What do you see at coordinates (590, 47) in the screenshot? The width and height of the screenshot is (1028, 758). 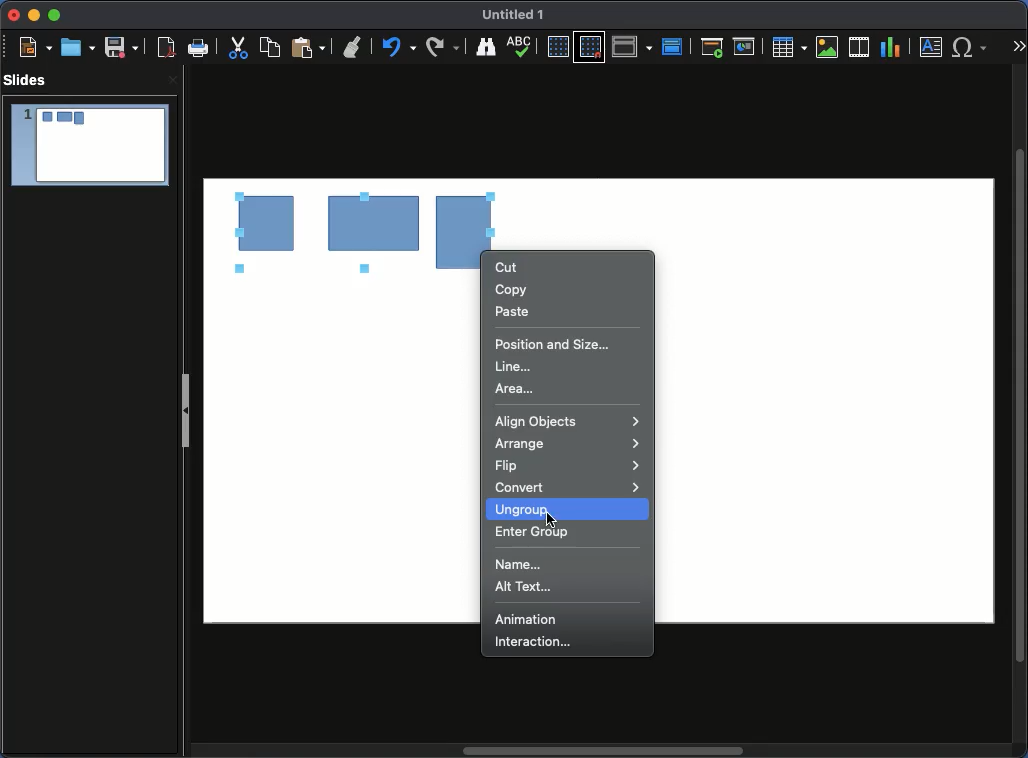 I see `Snap to grid` at bounding box center [590, 47].